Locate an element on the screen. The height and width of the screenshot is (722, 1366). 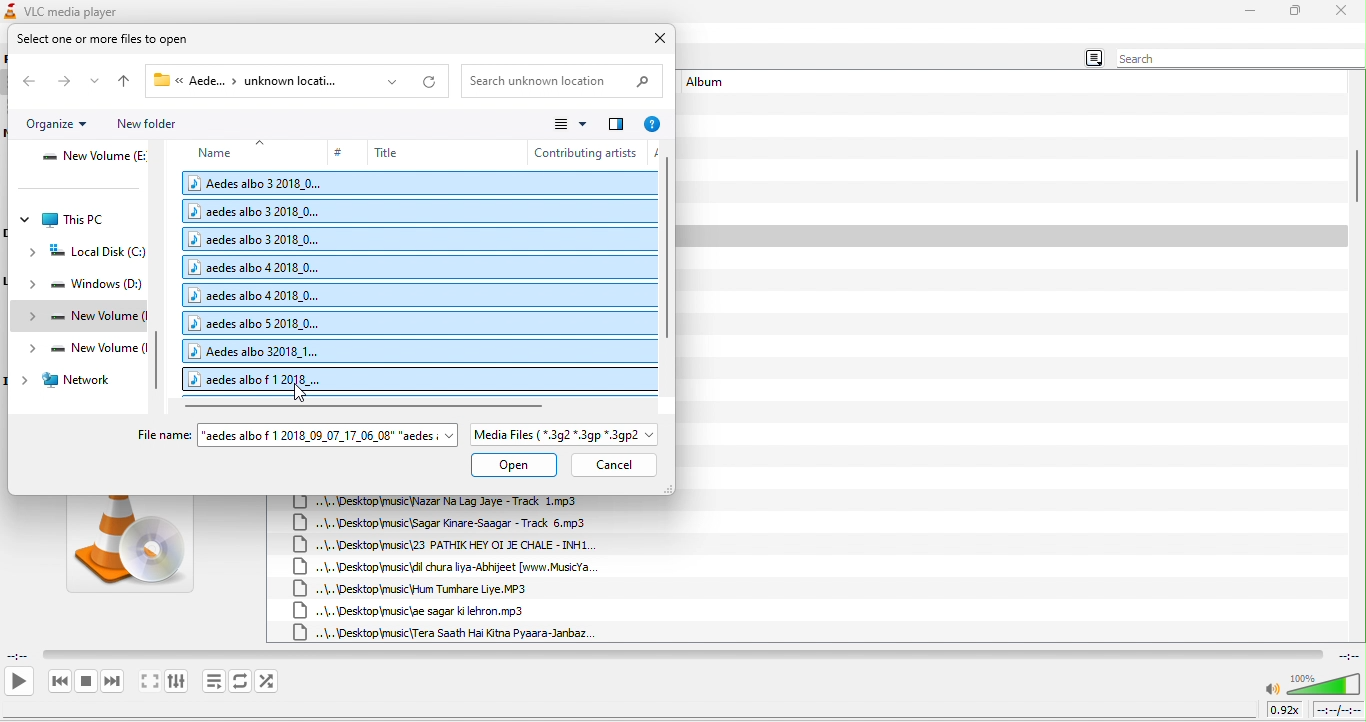
..\..\Desktop\music {Tera Saath Hai Kitna Pyaara-Janbaz. is located at coordinates (445, 632).